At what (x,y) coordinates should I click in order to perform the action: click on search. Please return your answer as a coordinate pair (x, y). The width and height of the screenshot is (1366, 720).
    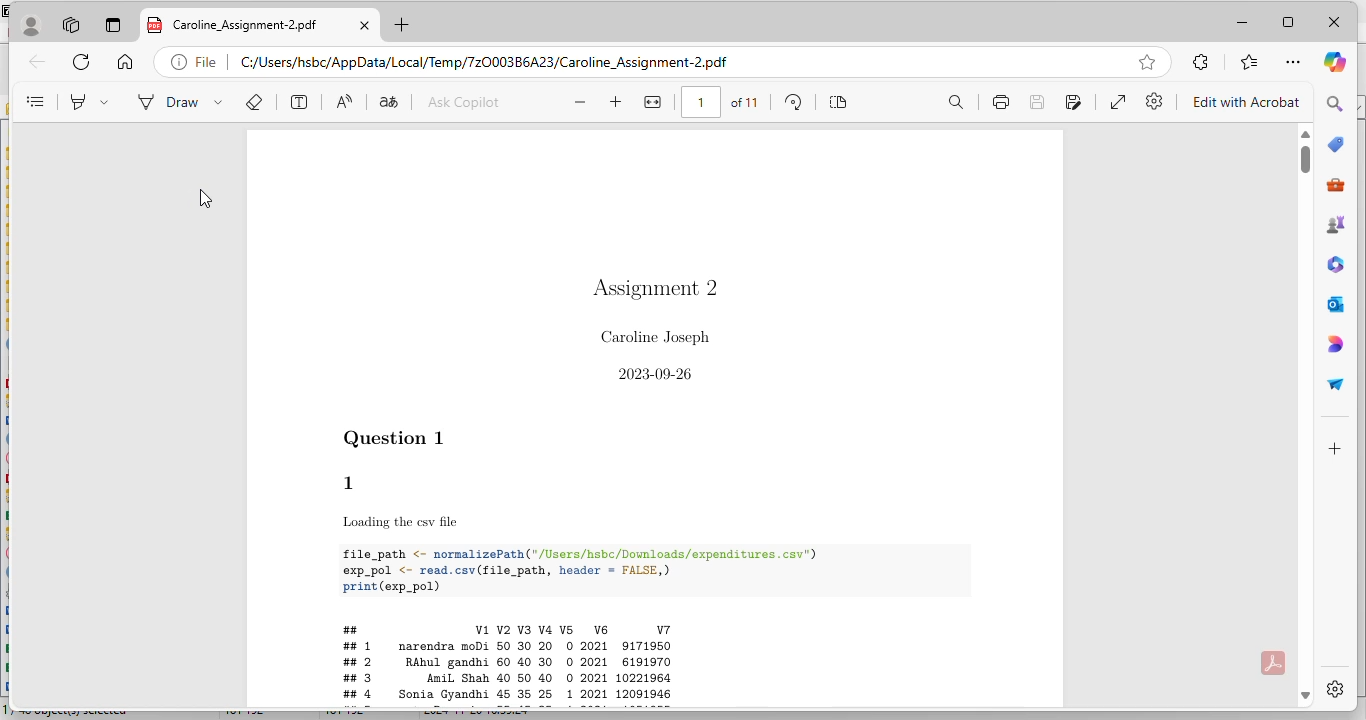
    Looking at the image, I should click on (1334, 102).